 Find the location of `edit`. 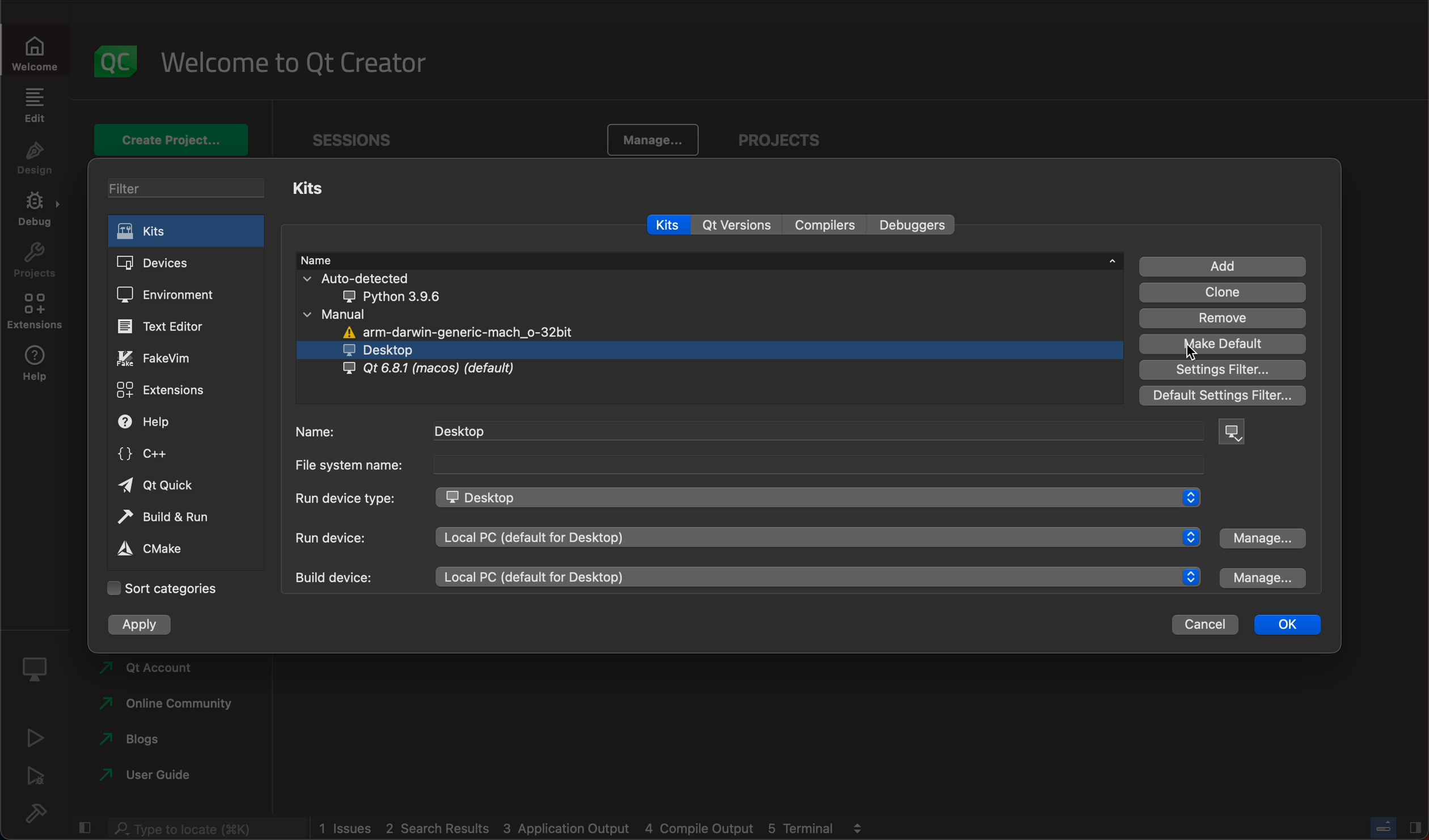

edit is located at coordinates (35, 105).